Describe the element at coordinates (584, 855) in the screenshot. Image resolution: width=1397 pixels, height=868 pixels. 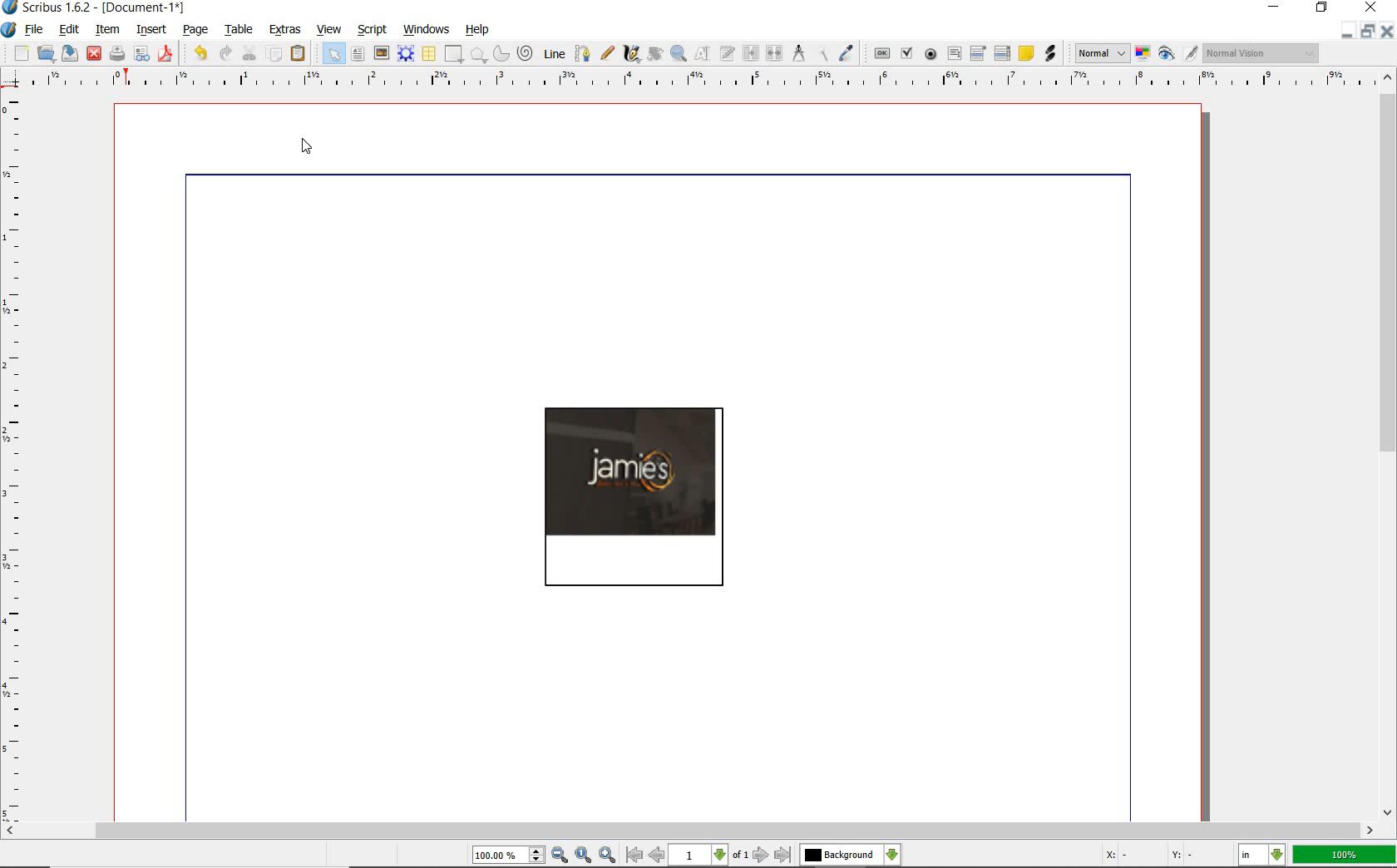
I see `Zoom to 100%` at that location.